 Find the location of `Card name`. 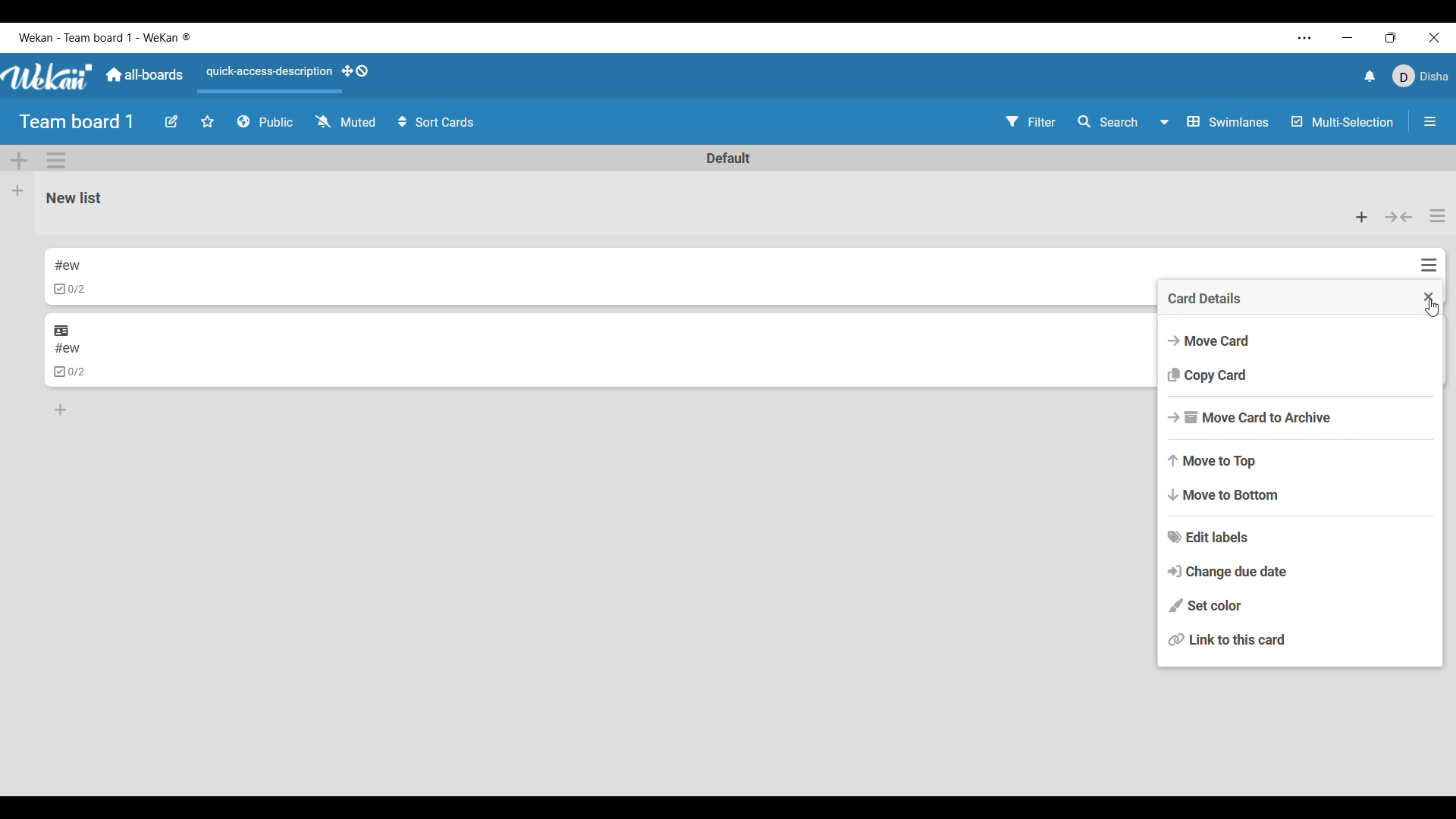

Card name is located at coordinates (67, 265).